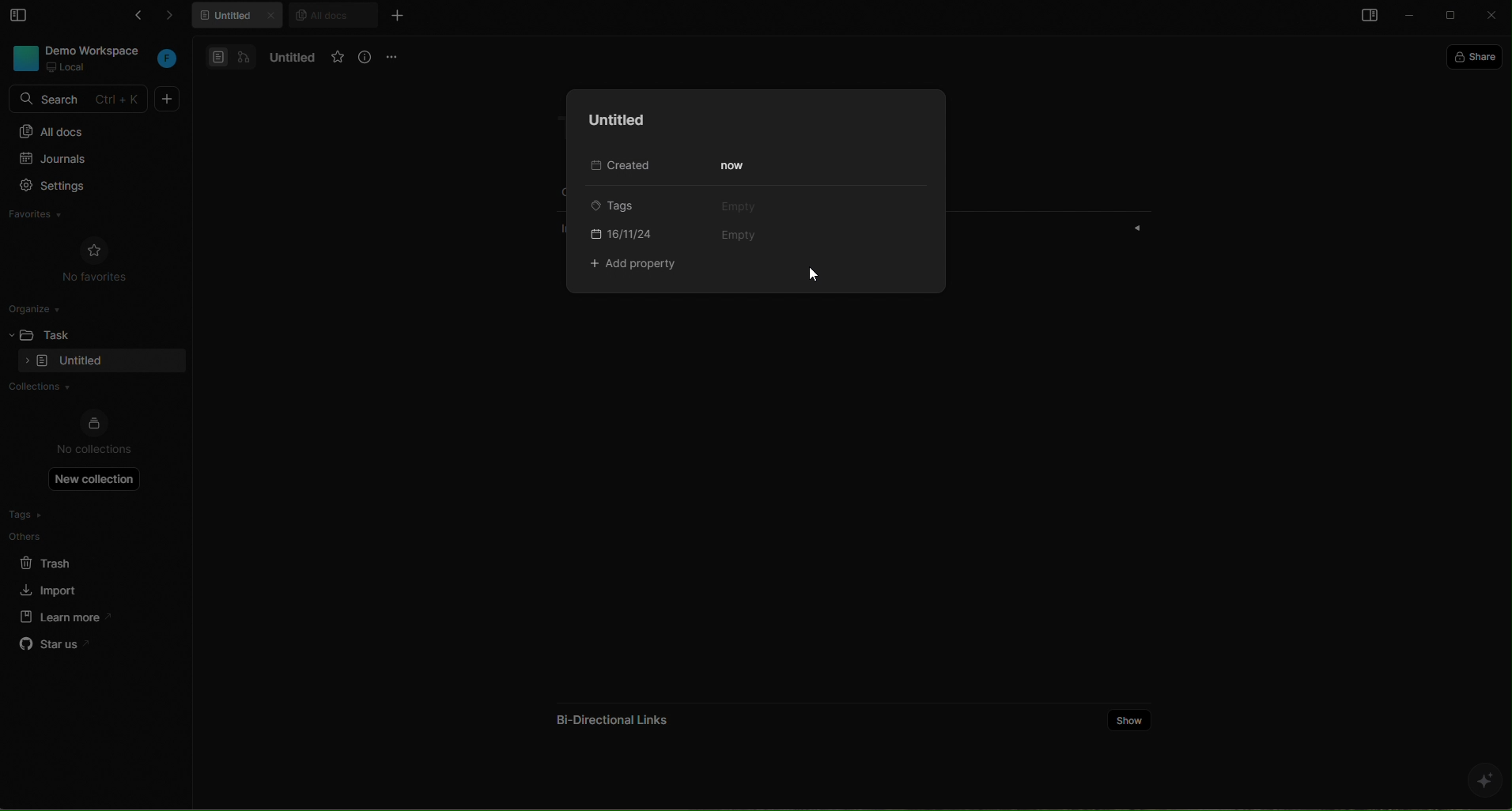  What do you see at coordinates (58, 515) in the screenshot?
I see `tags` at bounding box center [58, 515].